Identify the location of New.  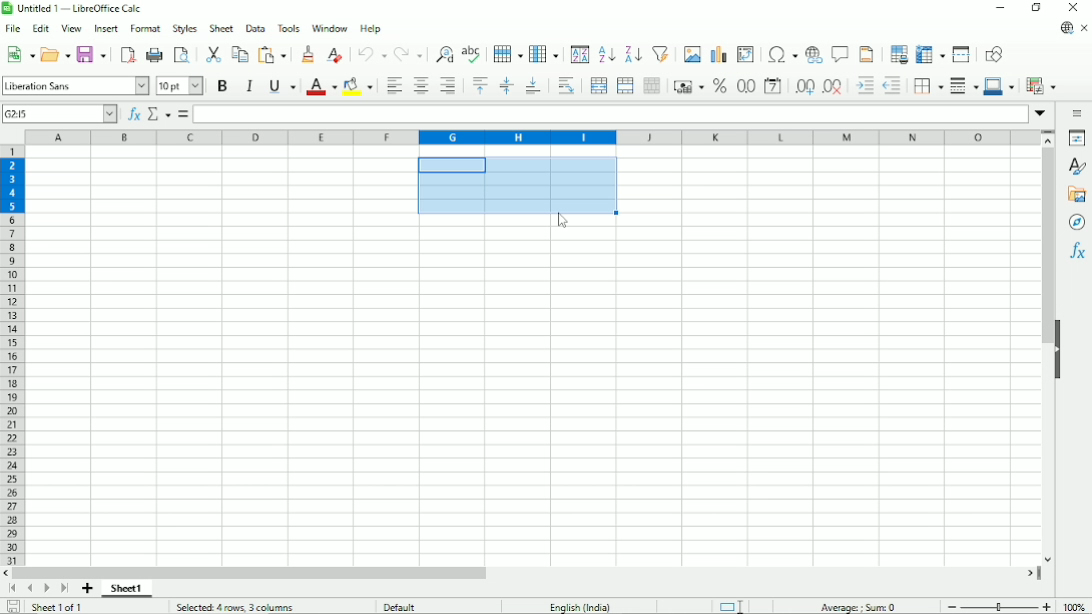
(19, 56).